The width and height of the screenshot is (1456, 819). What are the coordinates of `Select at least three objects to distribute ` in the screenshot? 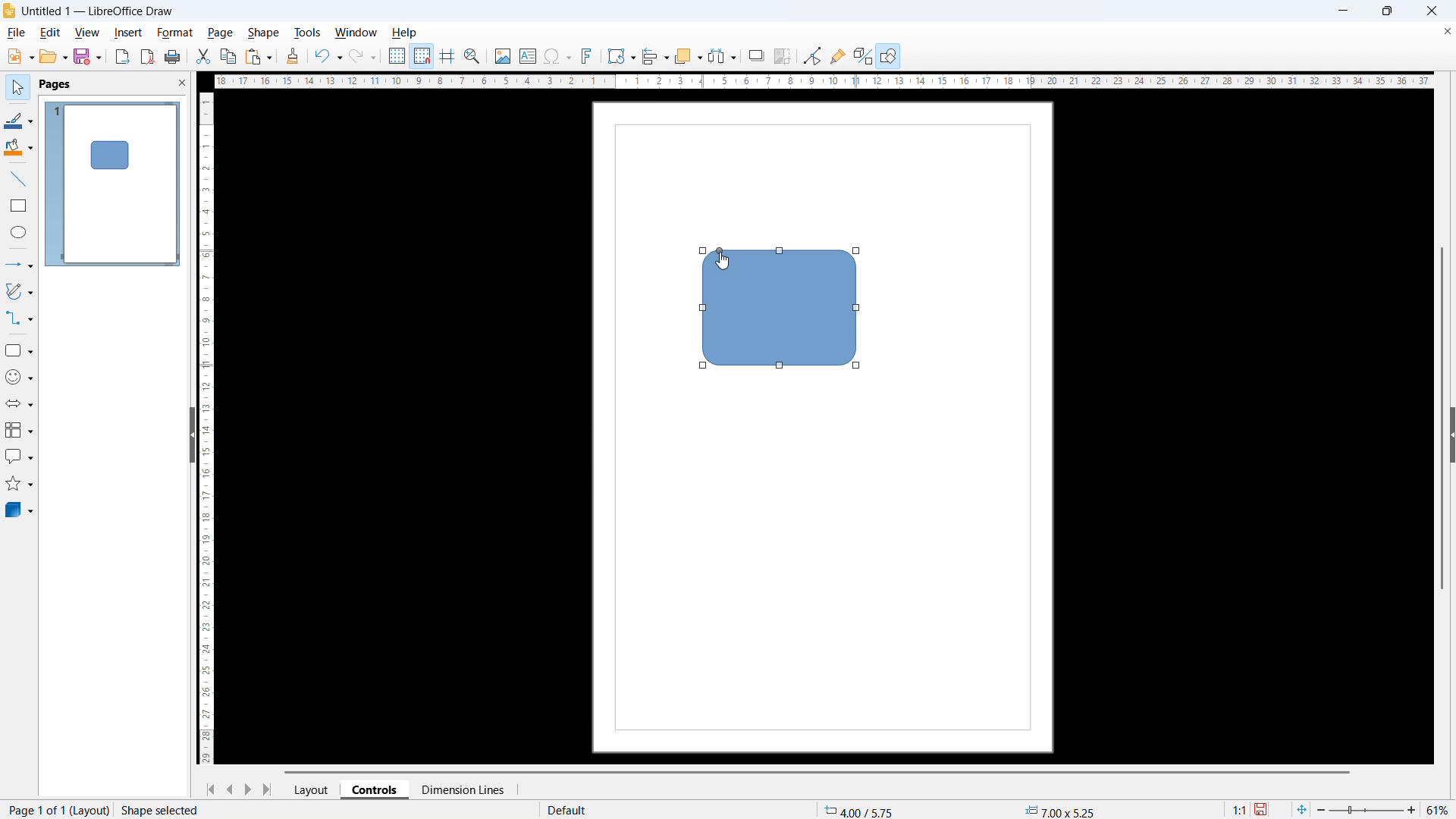 It's located at (722, 56).